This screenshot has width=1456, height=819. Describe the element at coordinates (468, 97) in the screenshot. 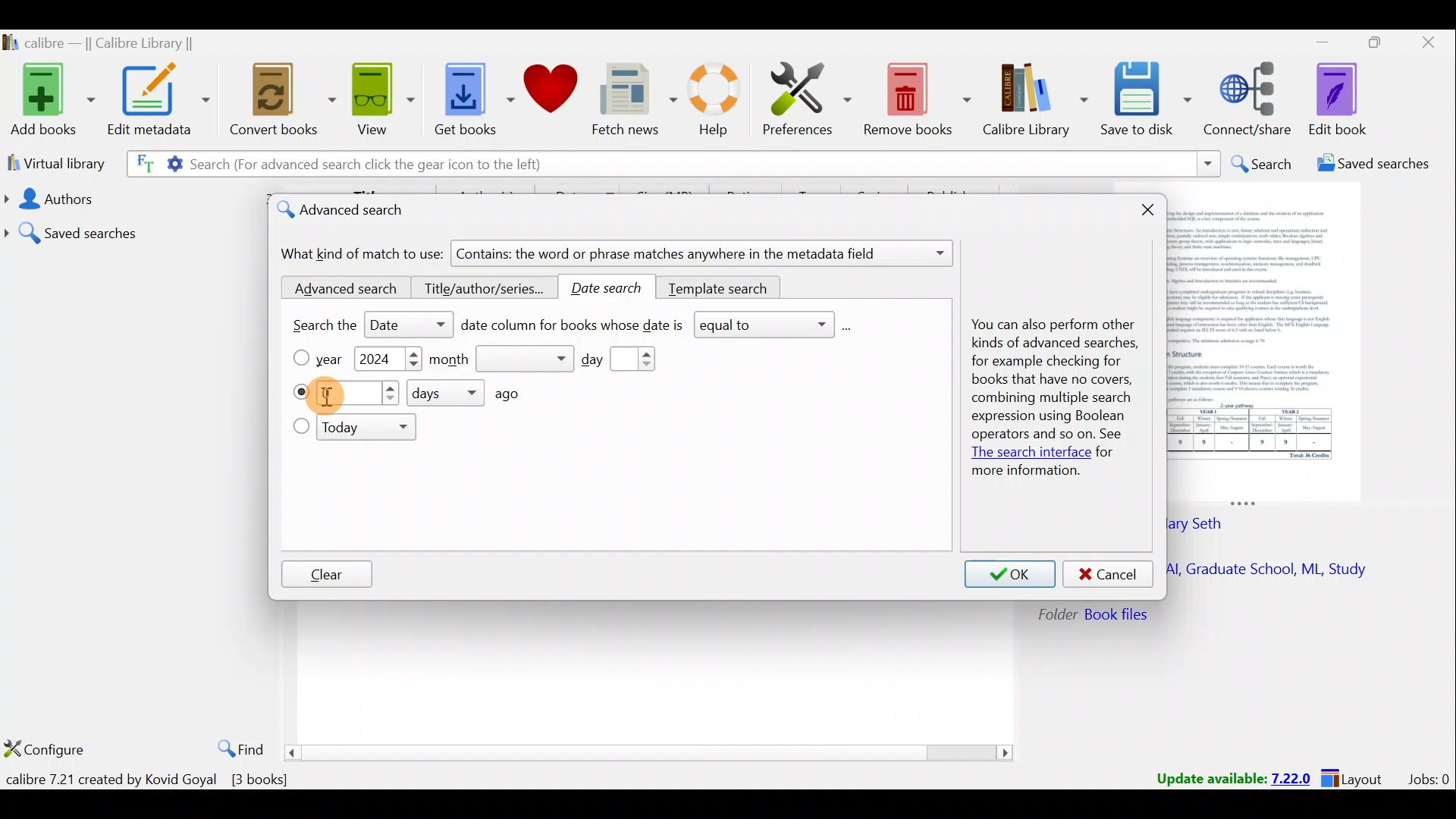

I see `Get books` at that location.